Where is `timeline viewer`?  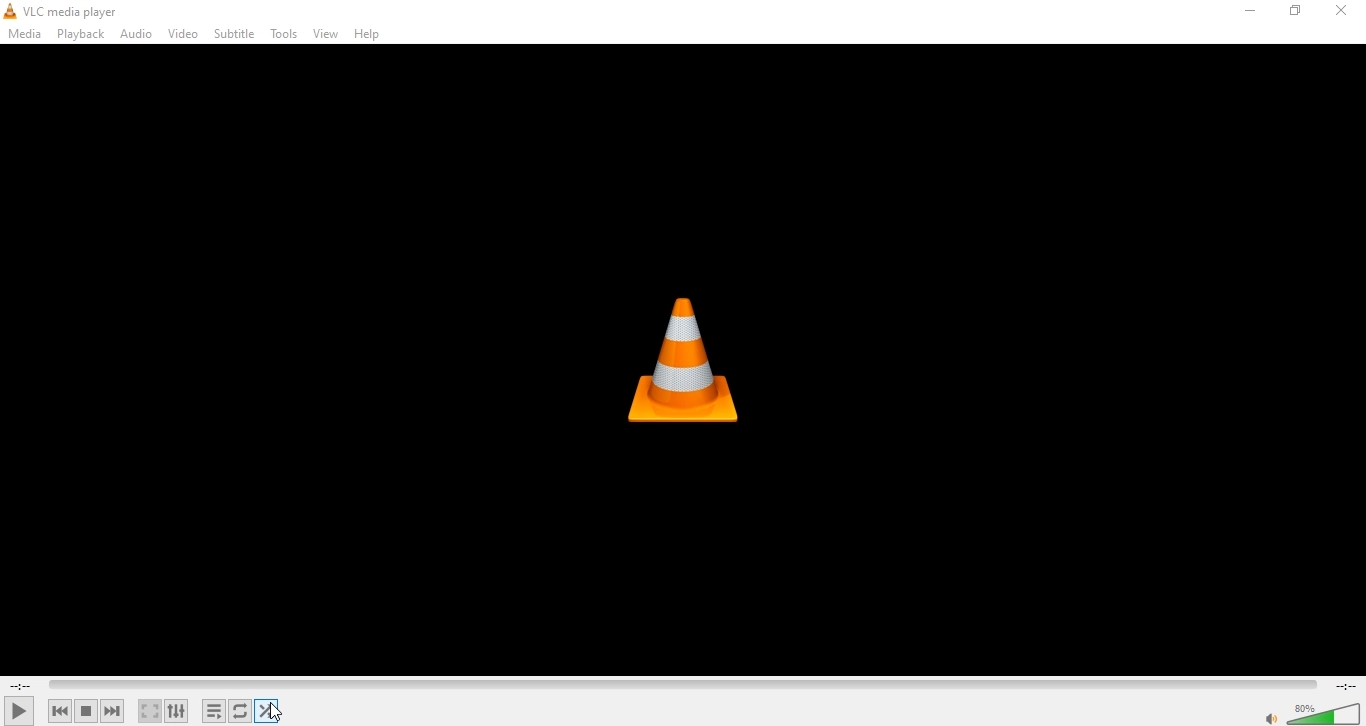
timeline viewer is located at coordinates (683, 686).